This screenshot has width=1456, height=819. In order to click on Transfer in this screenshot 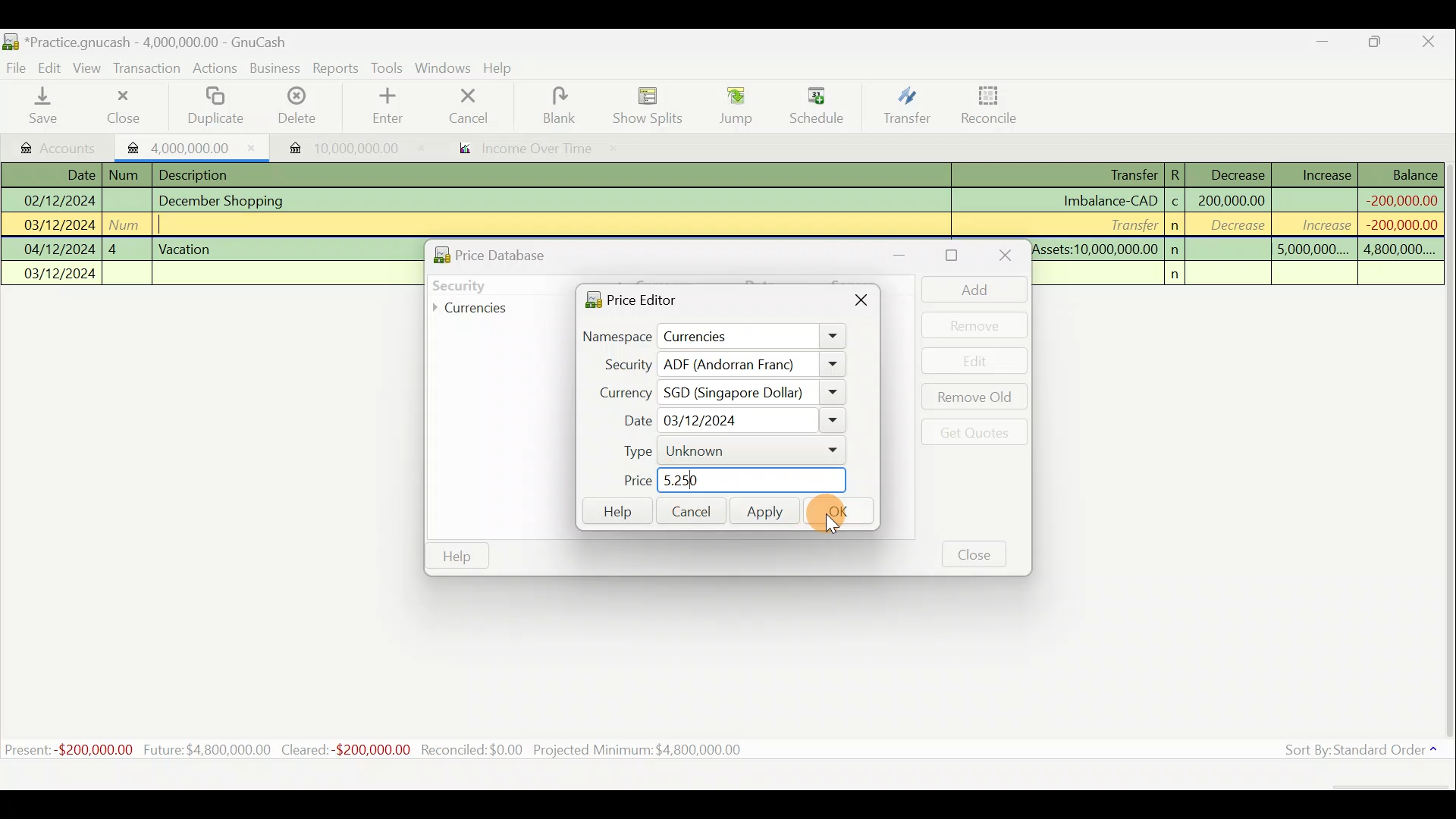, I will do `click(904, 108)`.